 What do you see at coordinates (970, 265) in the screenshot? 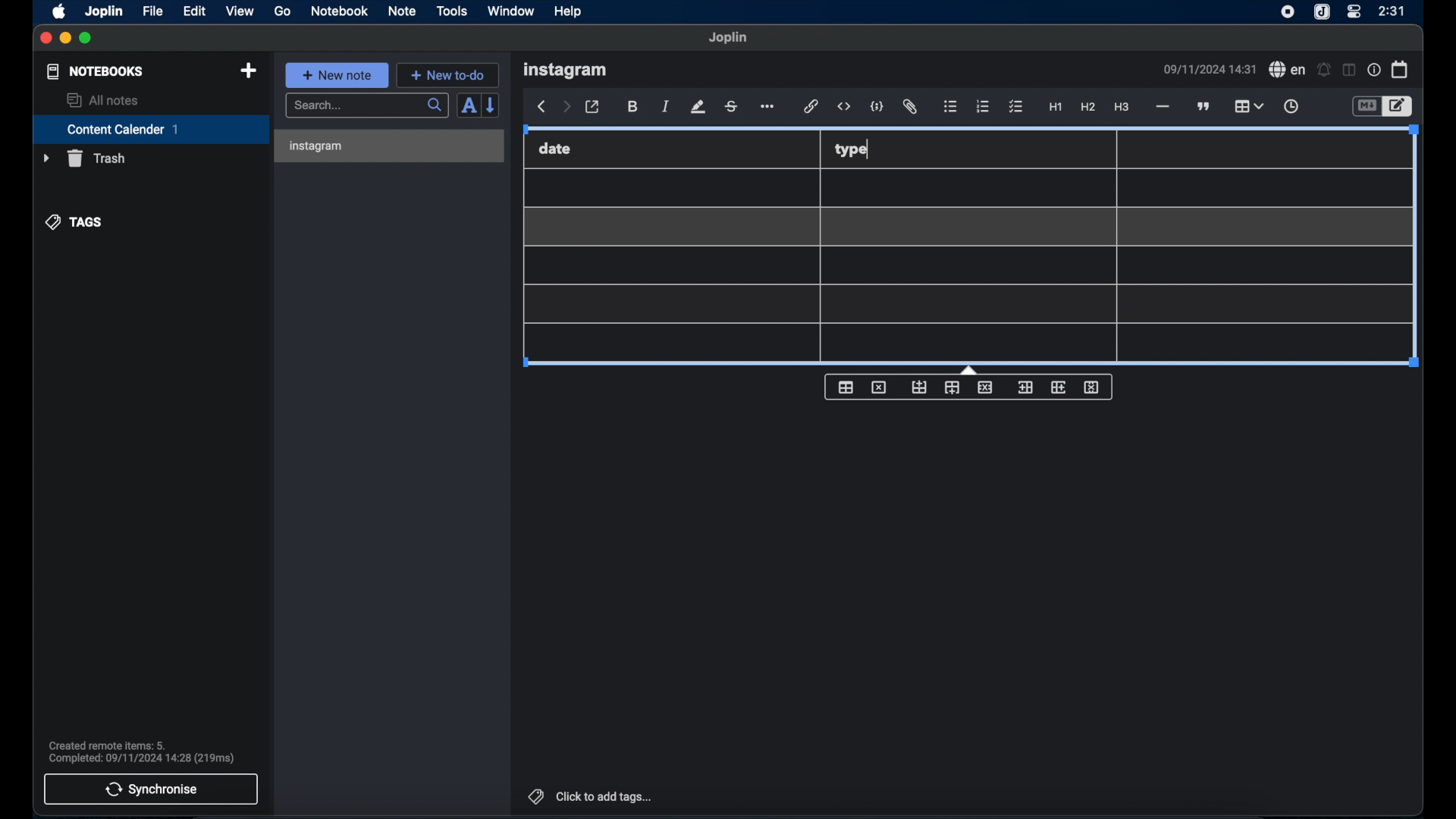
I see `Table` at bounding box center [970, 265].